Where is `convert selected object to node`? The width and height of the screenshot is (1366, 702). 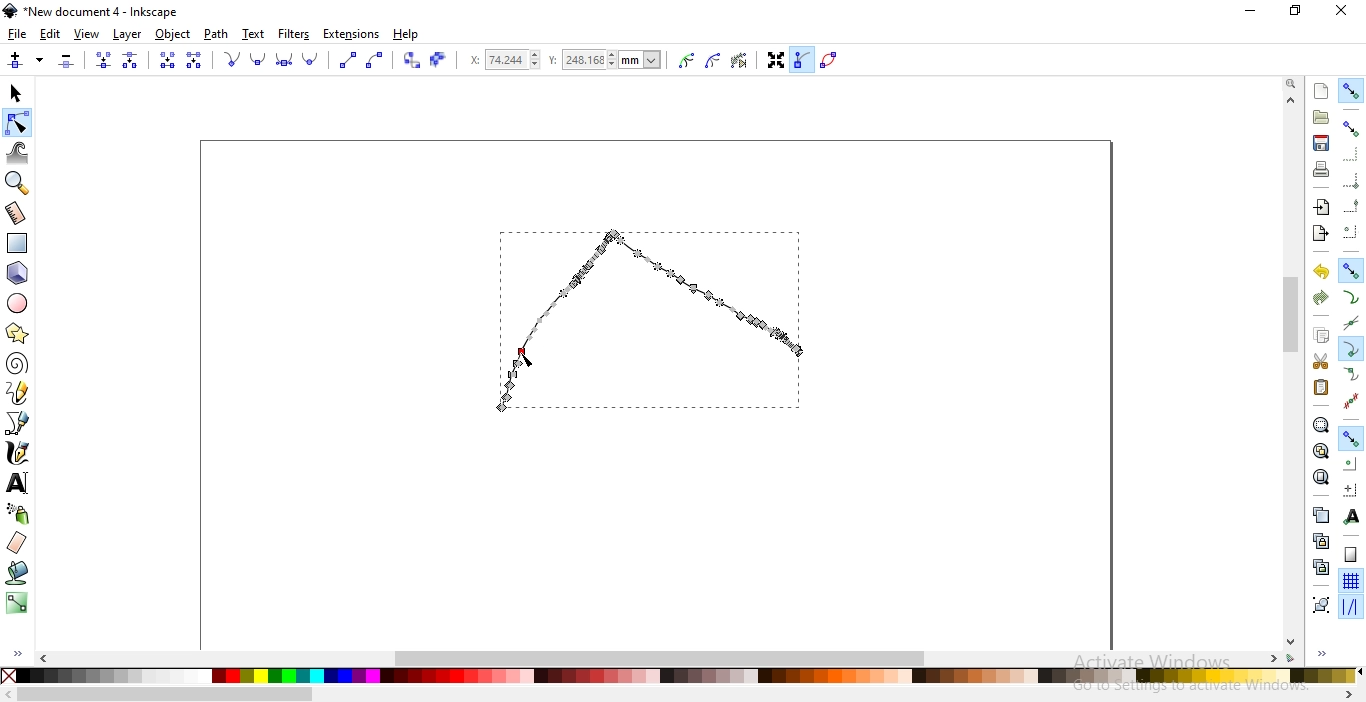 convert selected object to node is located at coordinates (410, 61).